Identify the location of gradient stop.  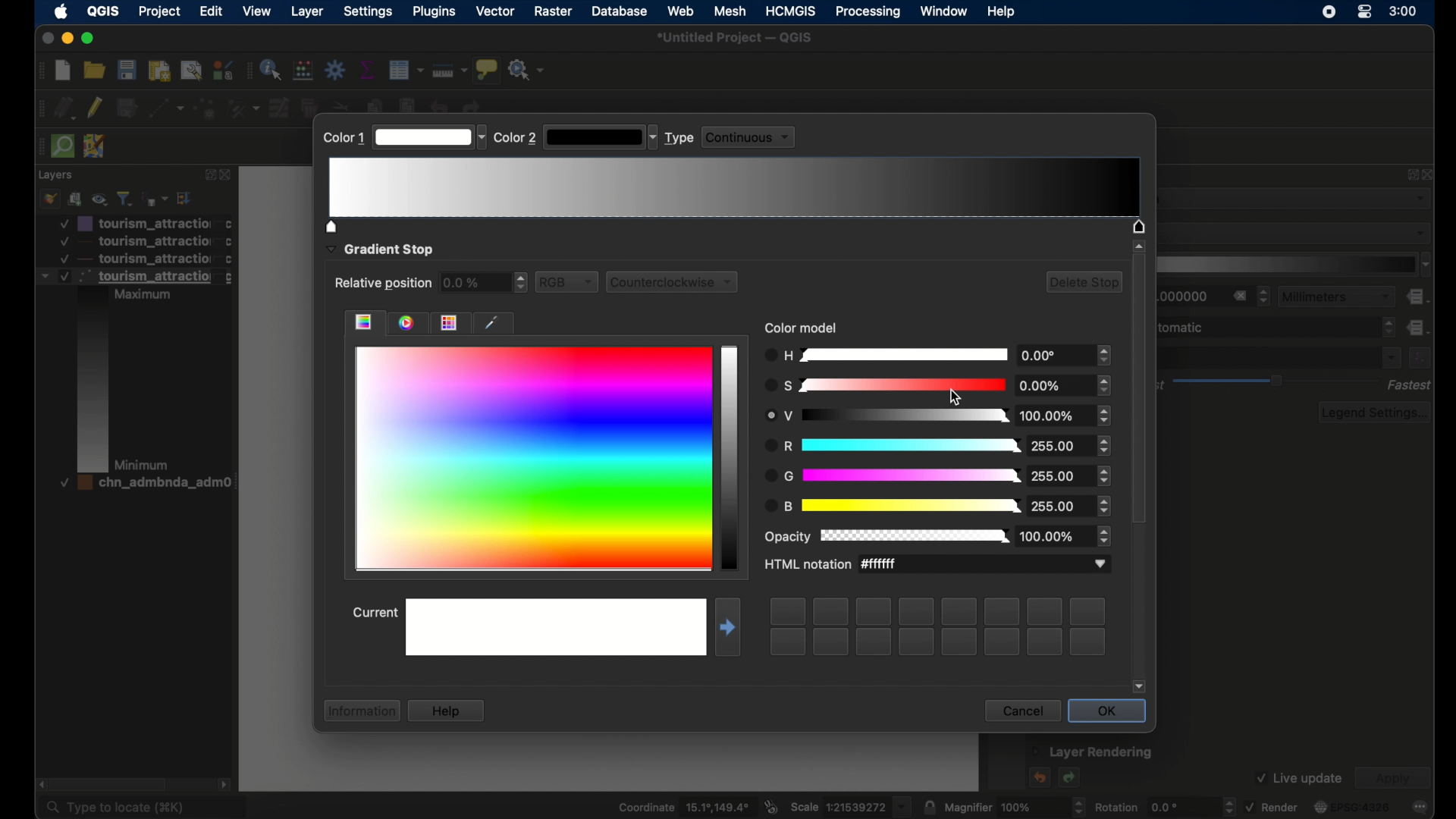
(379, 250).